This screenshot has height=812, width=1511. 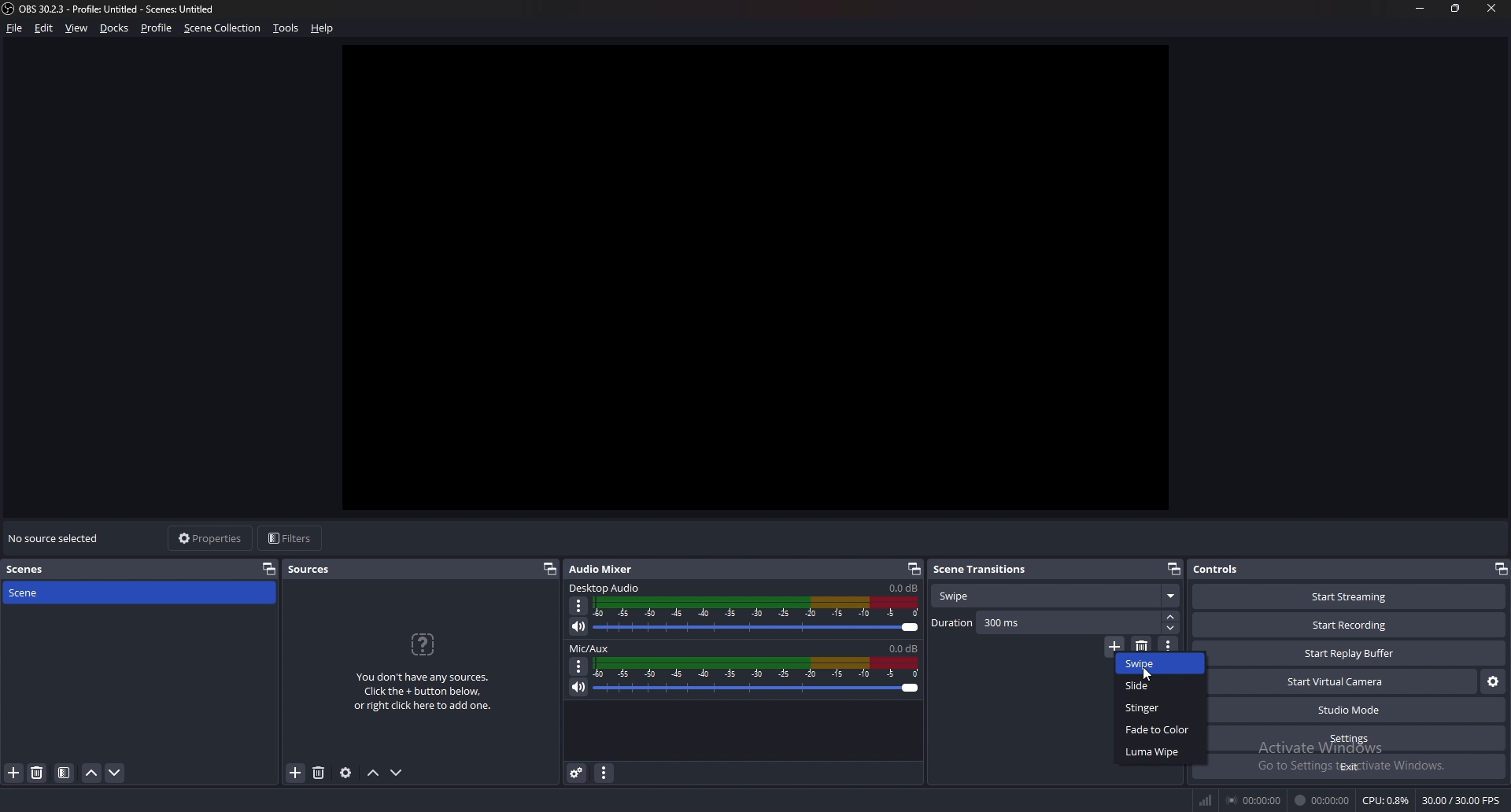 I want to click on luma wipe, so click(x=1161, y=751).